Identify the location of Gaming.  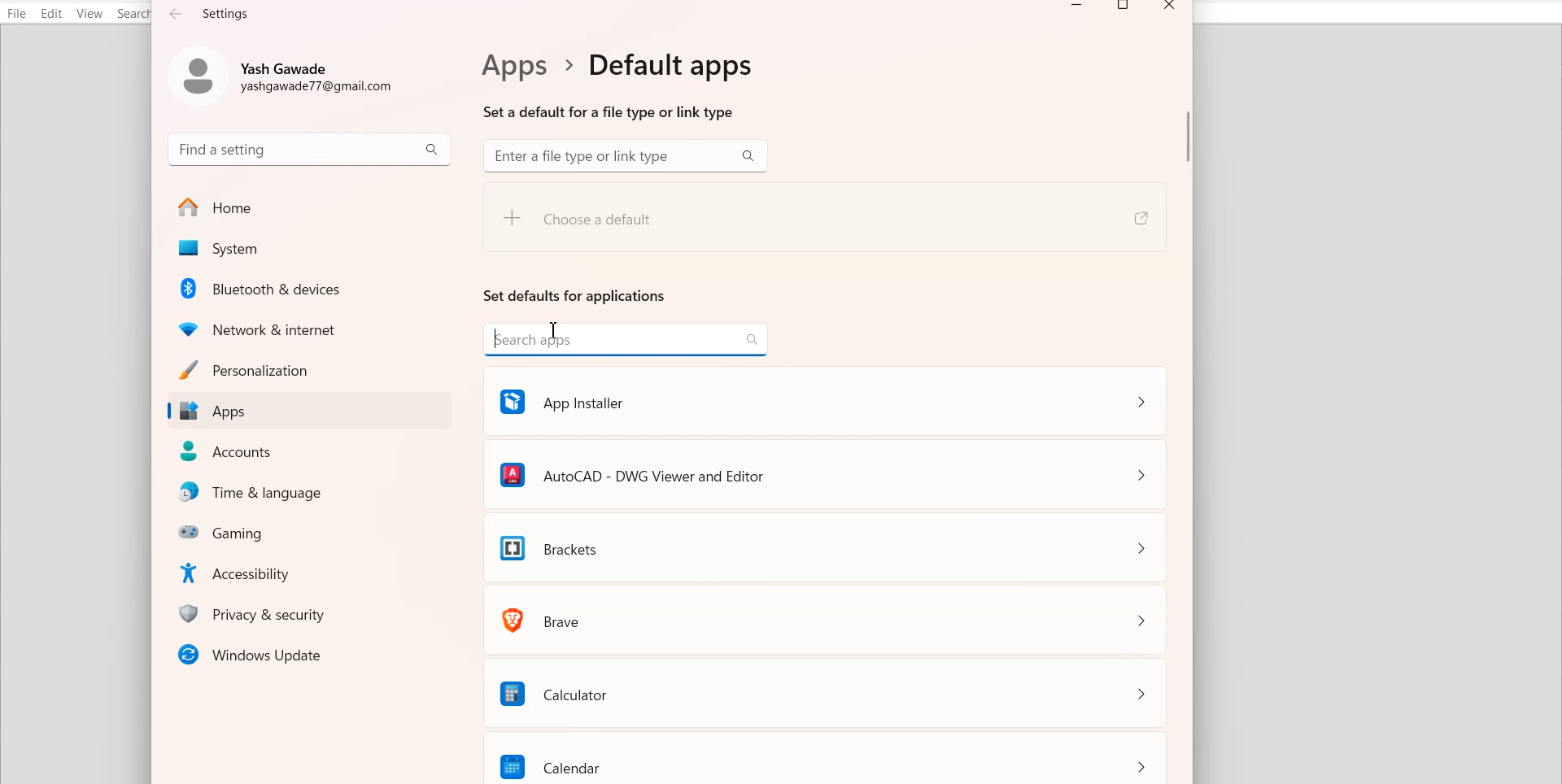
(314, 531).